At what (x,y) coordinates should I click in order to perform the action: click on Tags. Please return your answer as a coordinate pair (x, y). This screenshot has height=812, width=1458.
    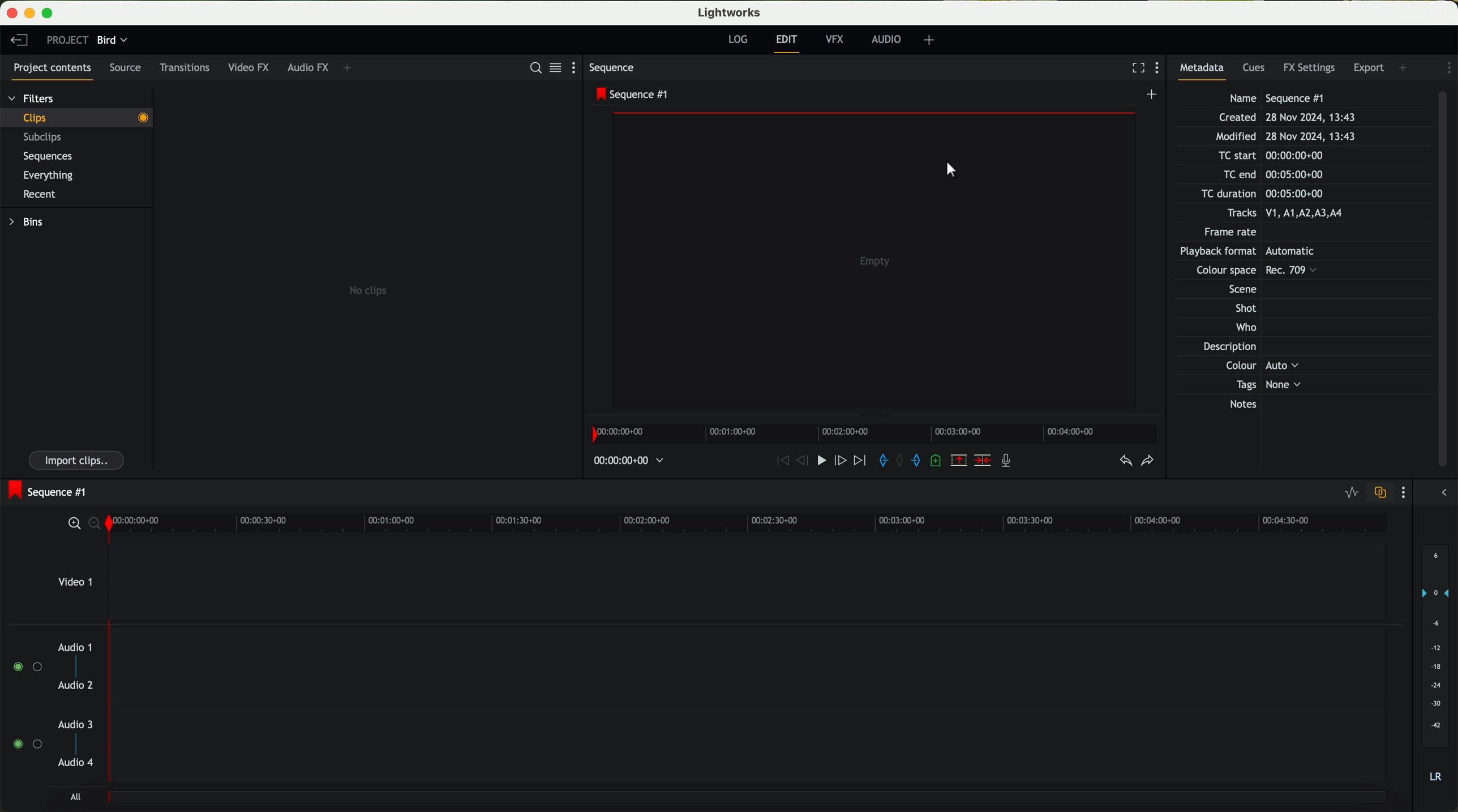
    Looking at the image, I should click on (1301, 384).